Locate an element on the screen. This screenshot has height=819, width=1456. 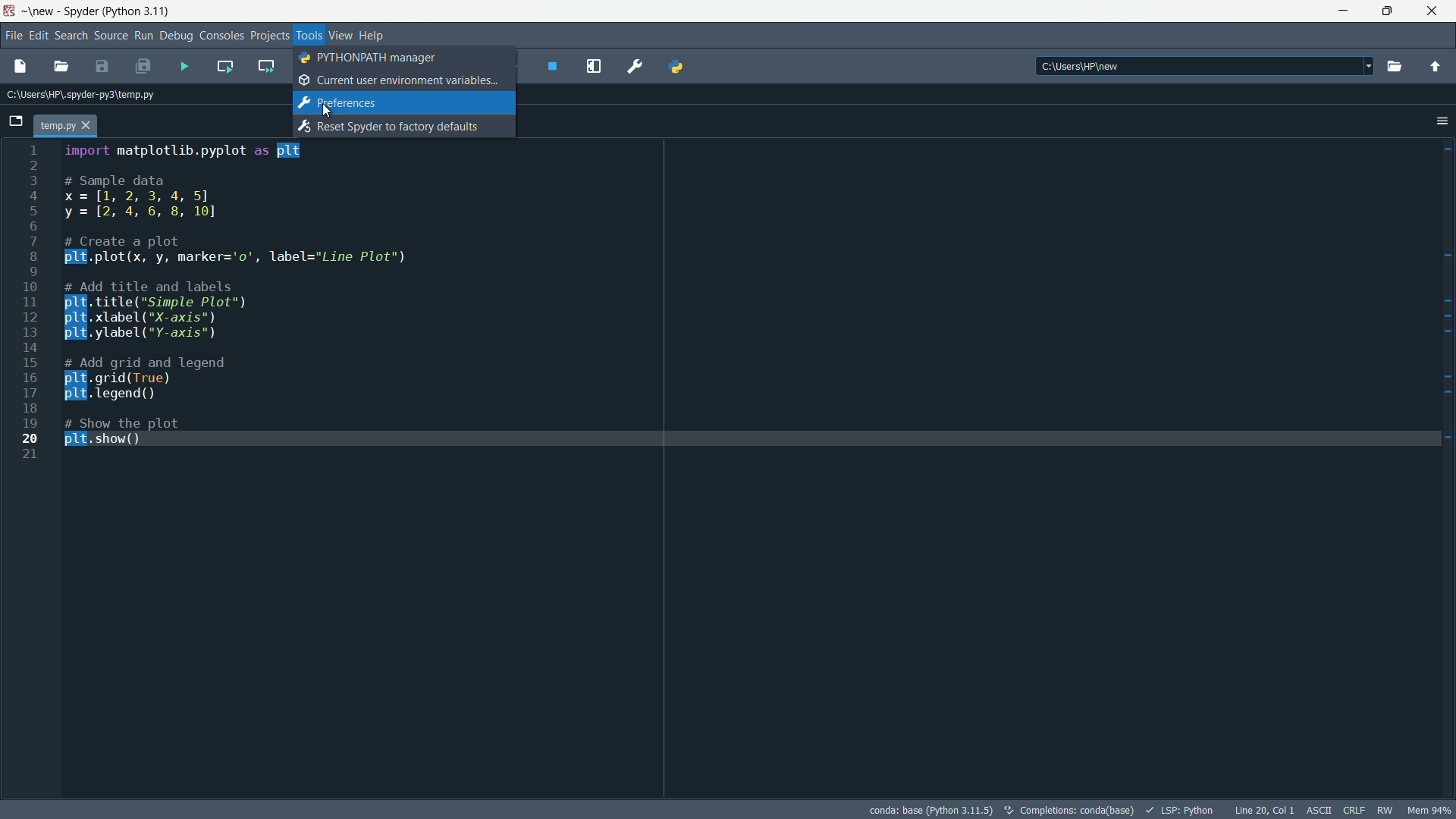
preferences is located at coordinates (336, 103).